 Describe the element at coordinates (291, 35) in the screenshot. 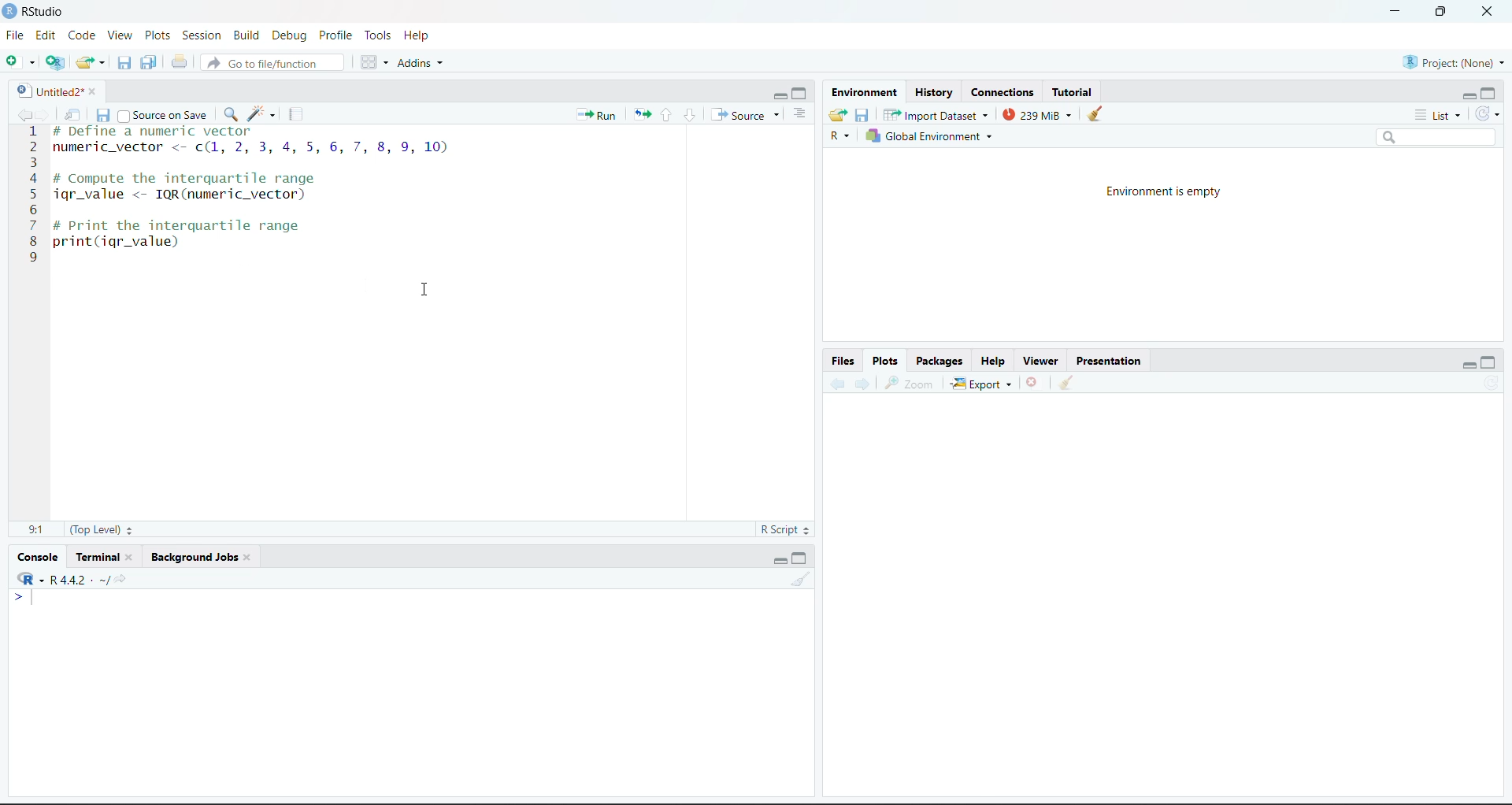

I see `Debug` at that location.